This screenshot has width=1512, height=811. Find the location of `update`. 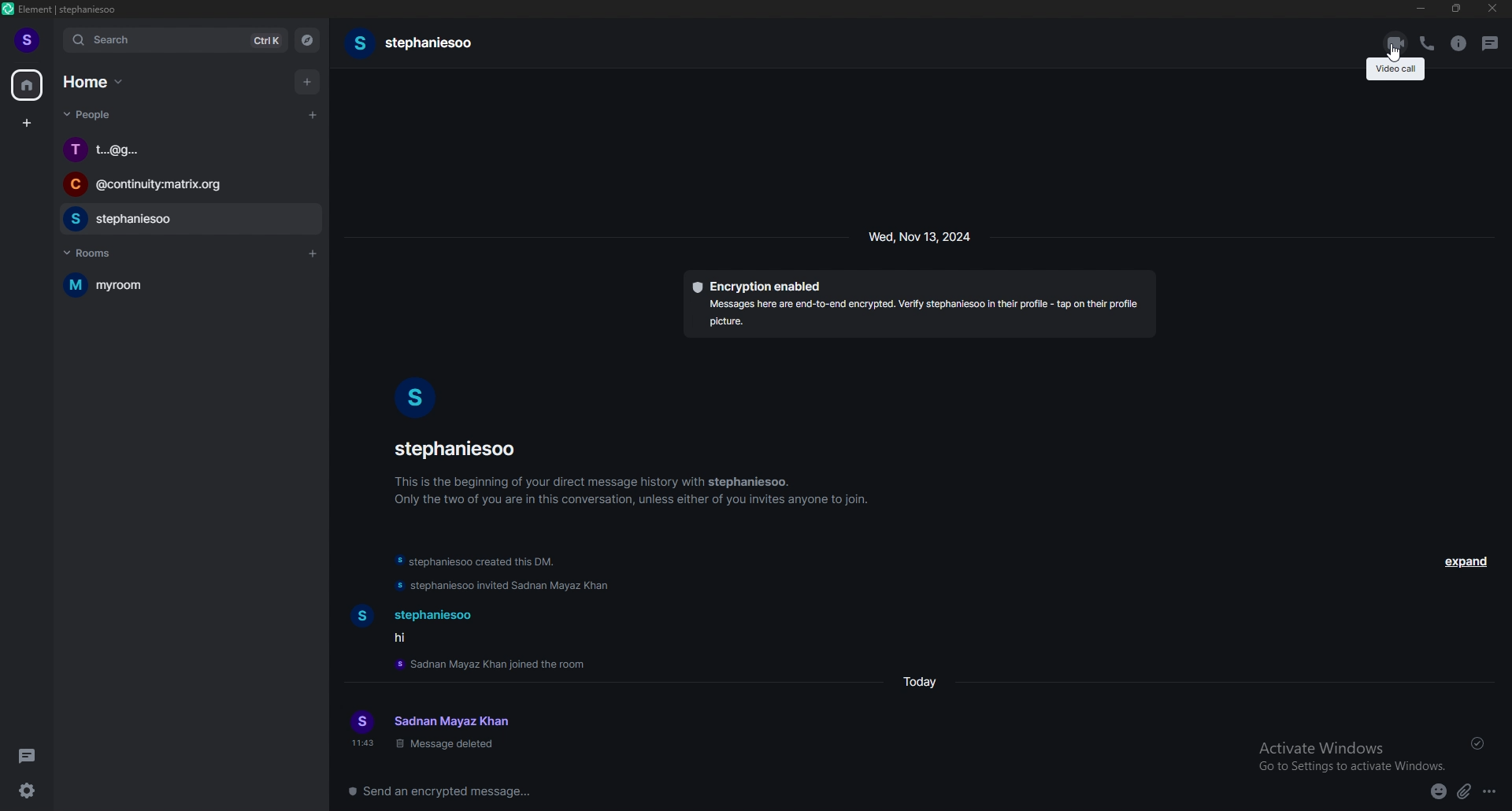

update is located at coordinates (480, 561).